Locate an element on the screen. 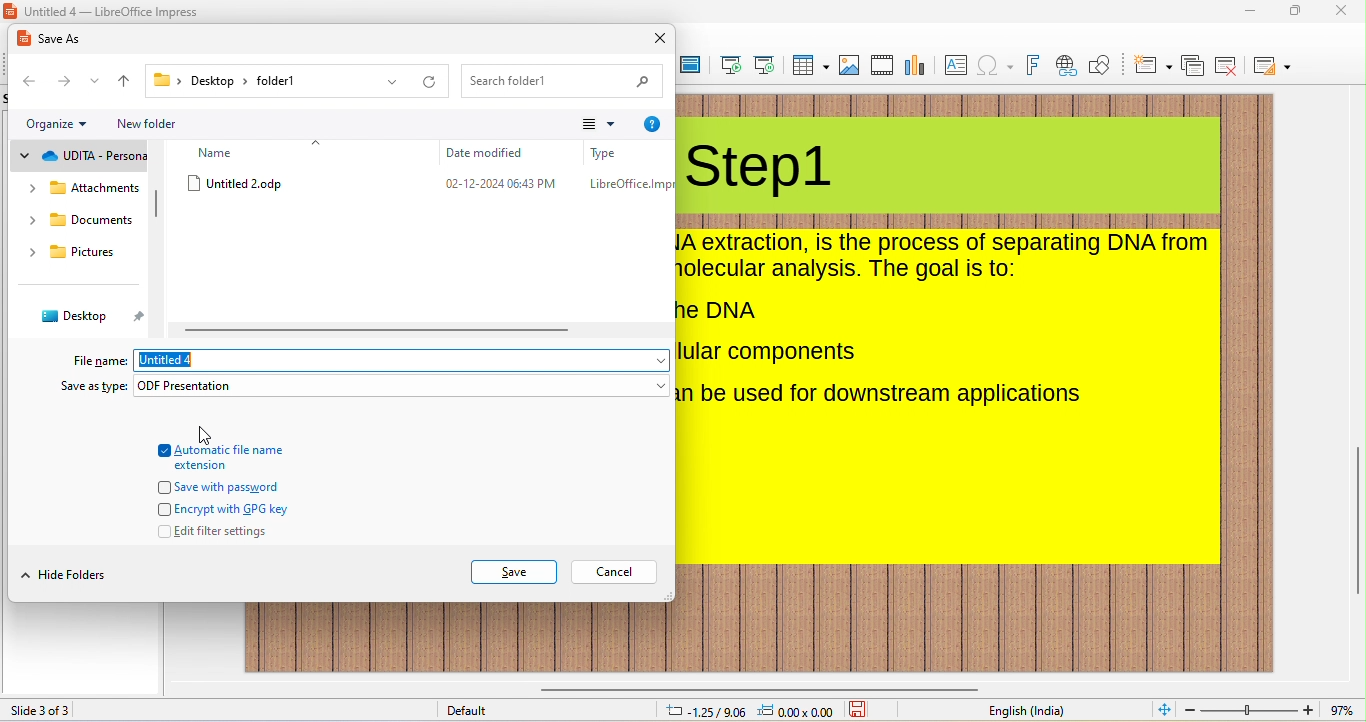  media is located at coordinates (882, 65).